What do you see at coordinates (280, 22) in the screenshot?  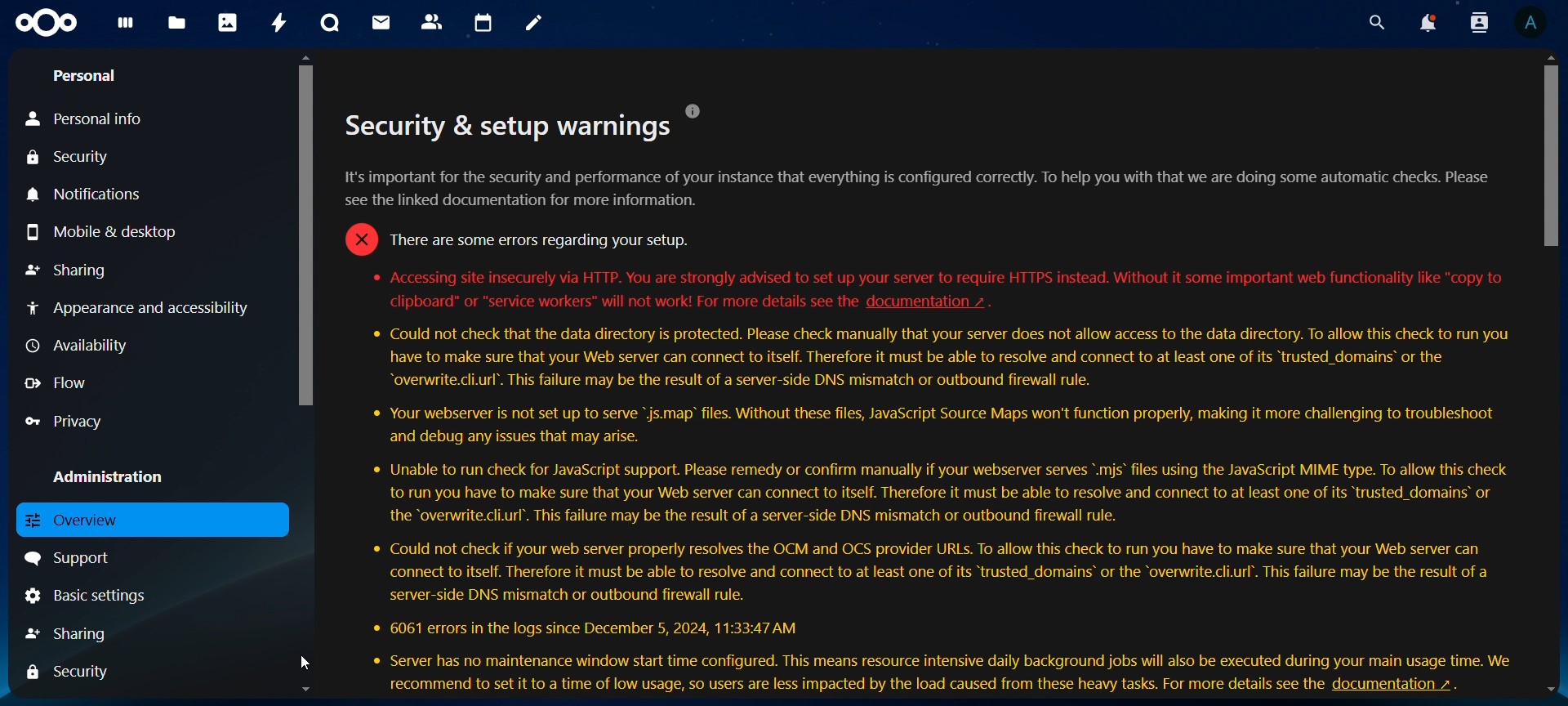 I see `activity` at bounding box center [280, 22].